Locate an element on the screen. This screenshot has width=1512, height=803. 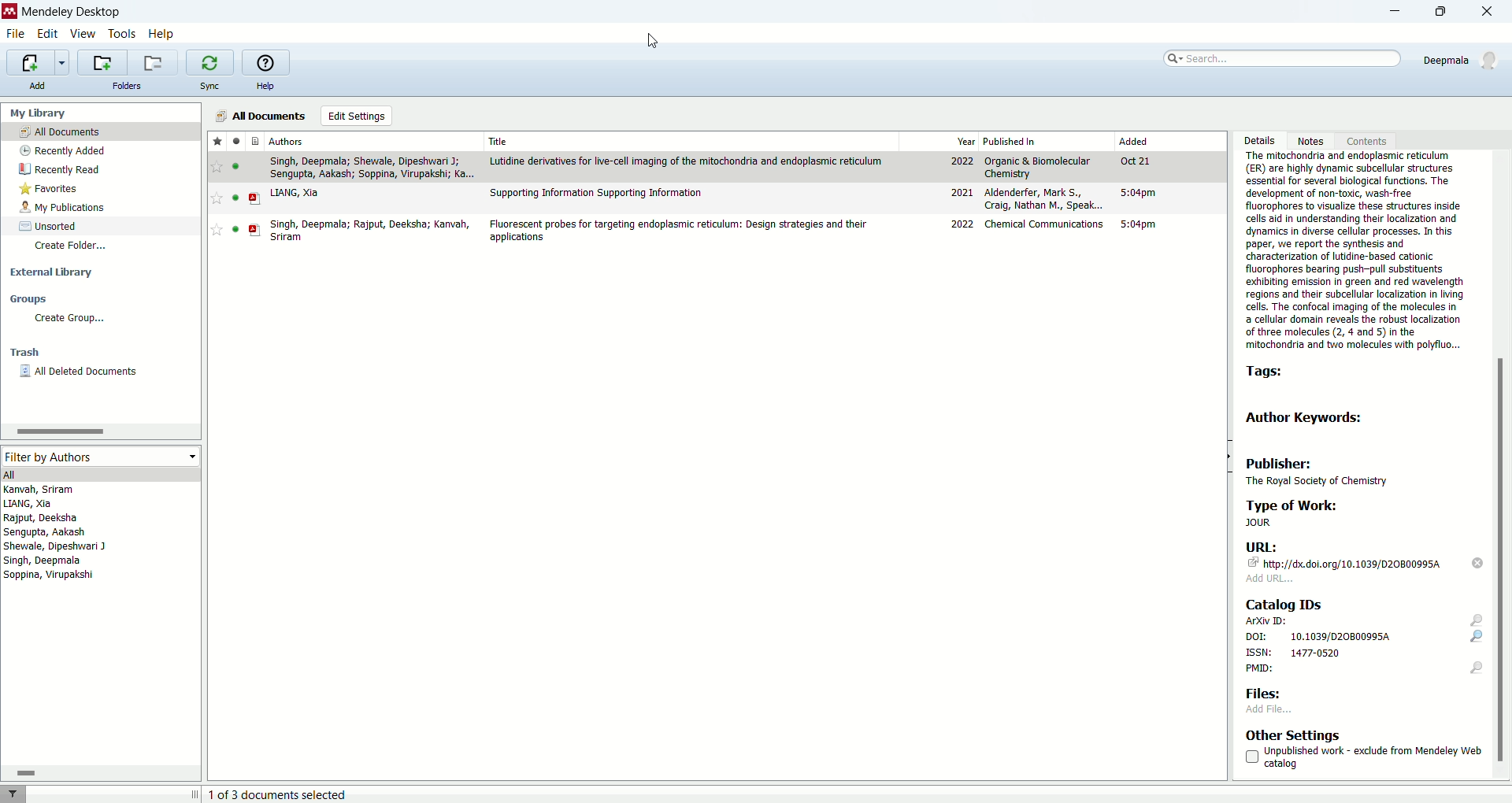
favorites is located at coordinates (50, 189).